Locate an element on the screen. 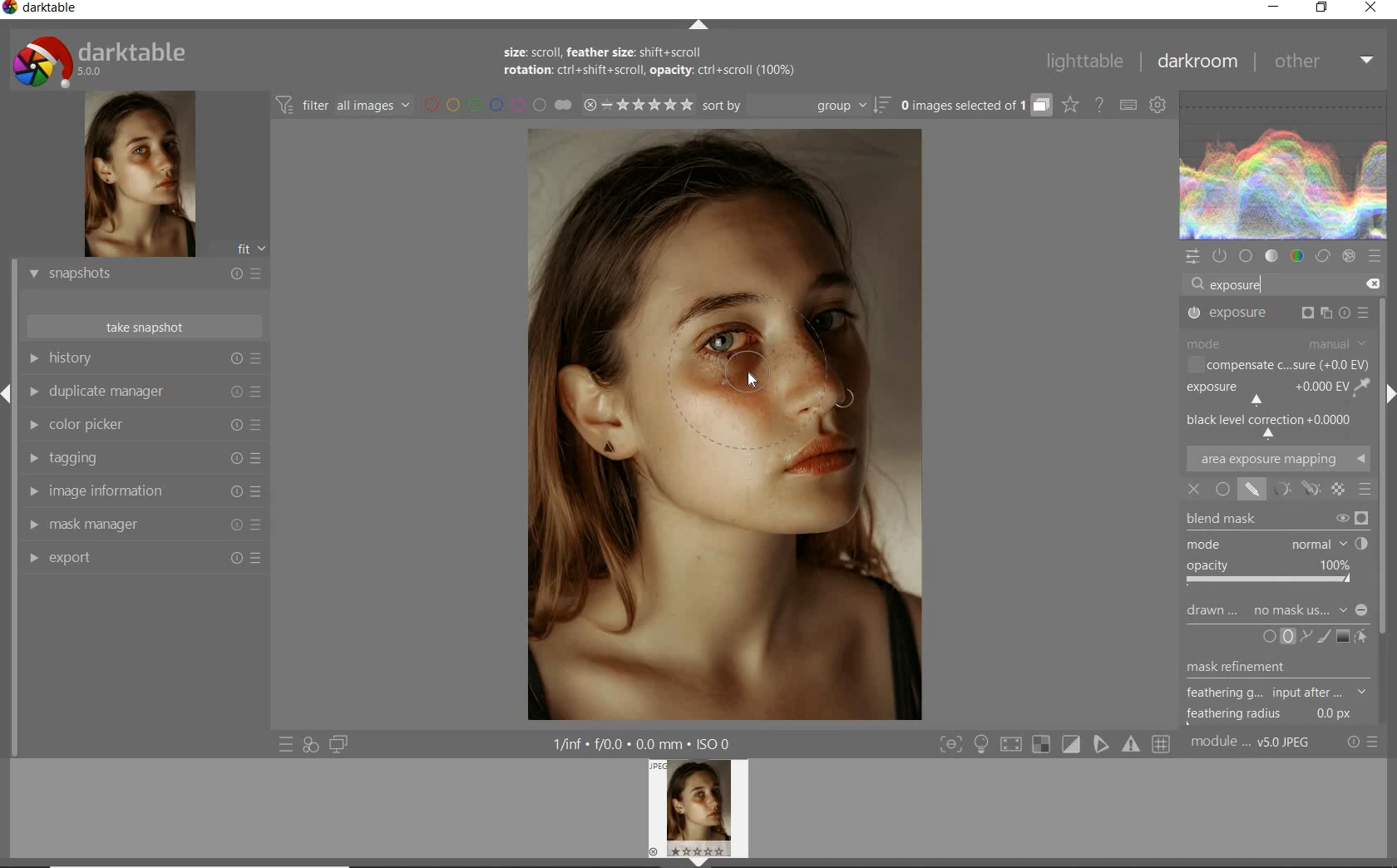 Image resolution: width=1397 pixels, height=868 pixels. filter images based on their modules is located at coordinates (343, 105).